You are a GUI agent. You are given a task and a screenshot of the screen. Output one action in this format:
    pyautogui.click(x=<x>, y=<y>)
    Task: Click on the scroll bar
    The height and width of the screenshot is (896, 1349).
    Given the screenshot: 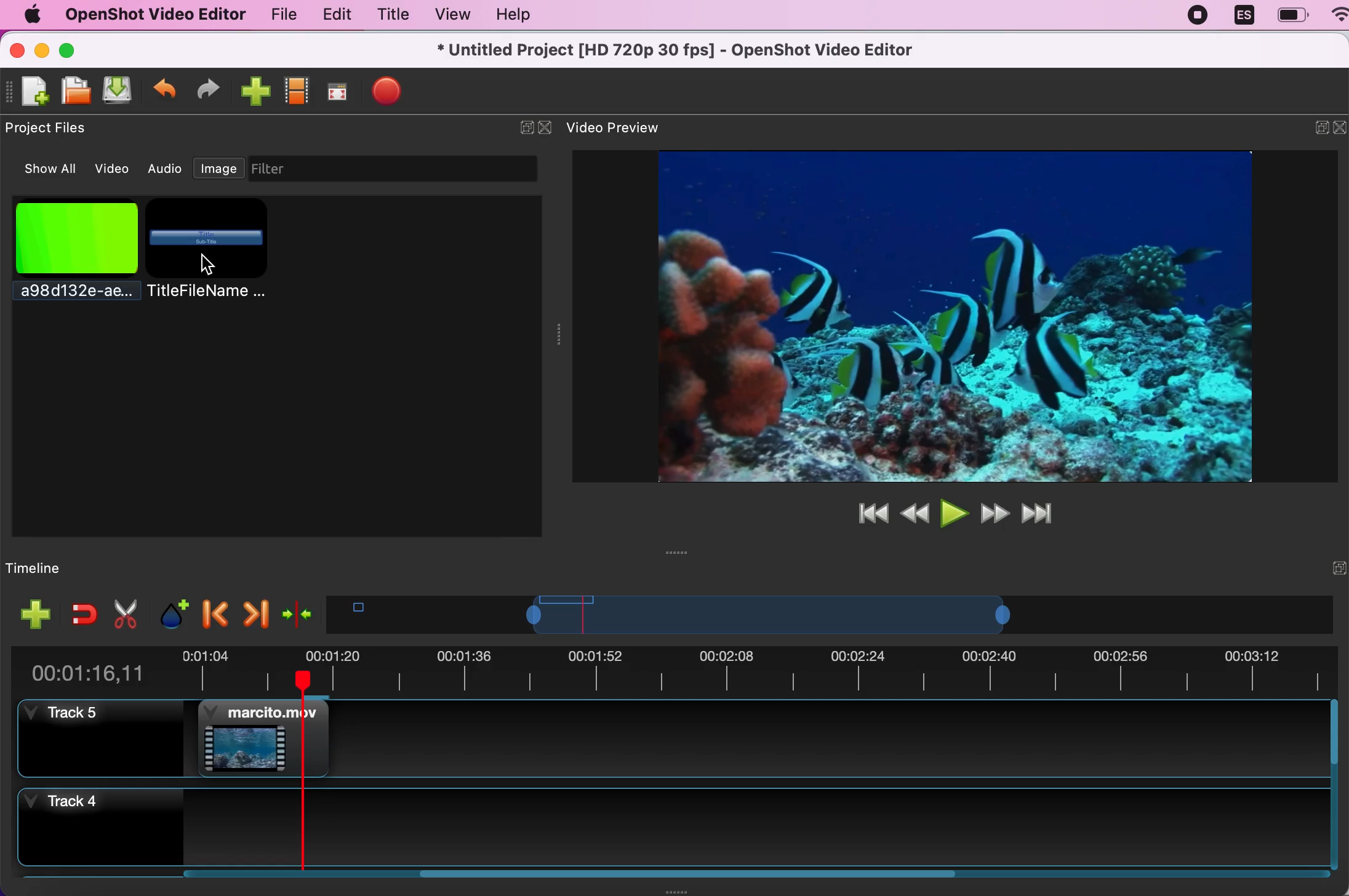 What is the action you would take?
    pyautogui.click(x=1335, y=787)
    